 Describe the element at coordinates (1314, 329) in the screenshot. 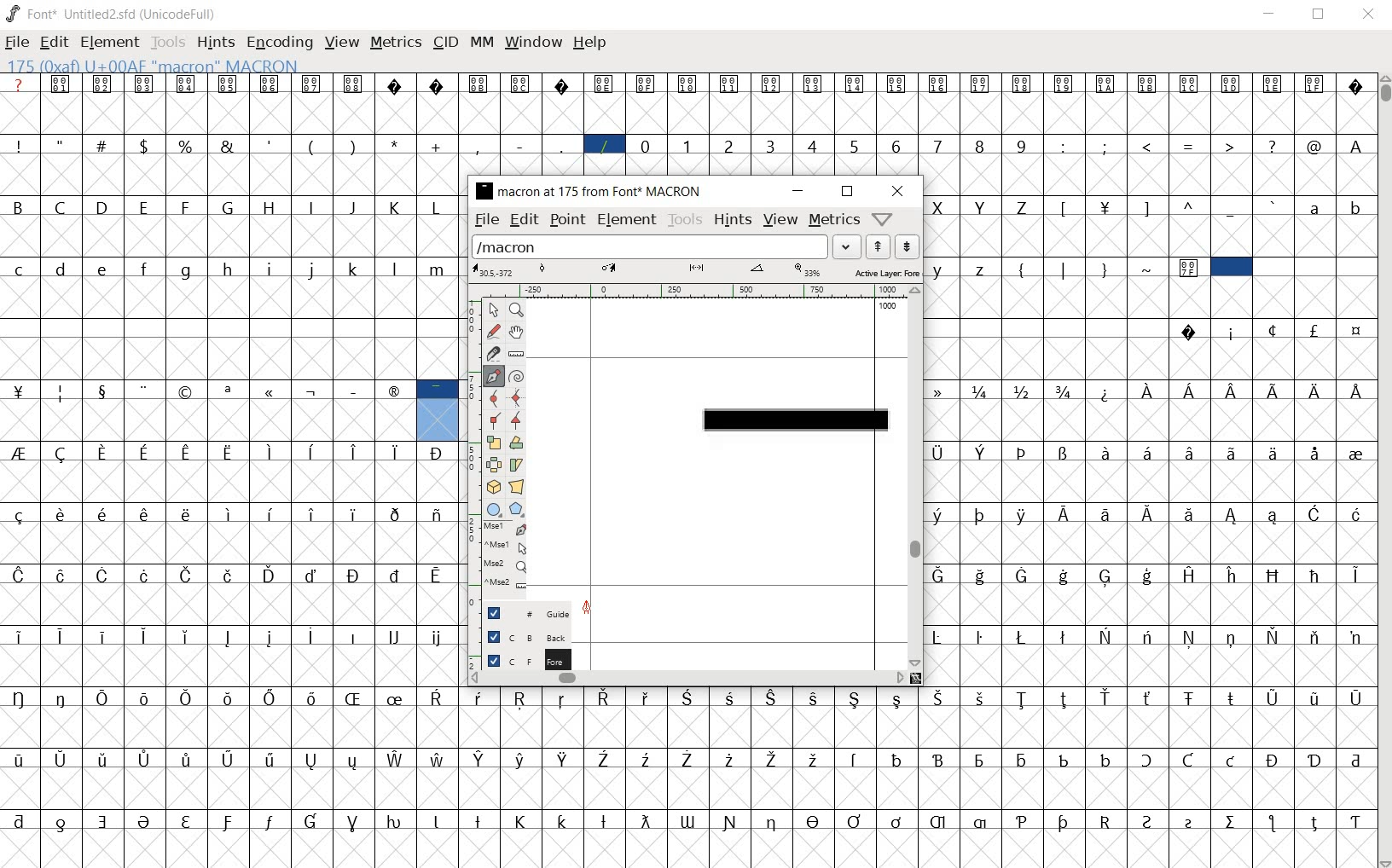

I see `Symbol` at that location.